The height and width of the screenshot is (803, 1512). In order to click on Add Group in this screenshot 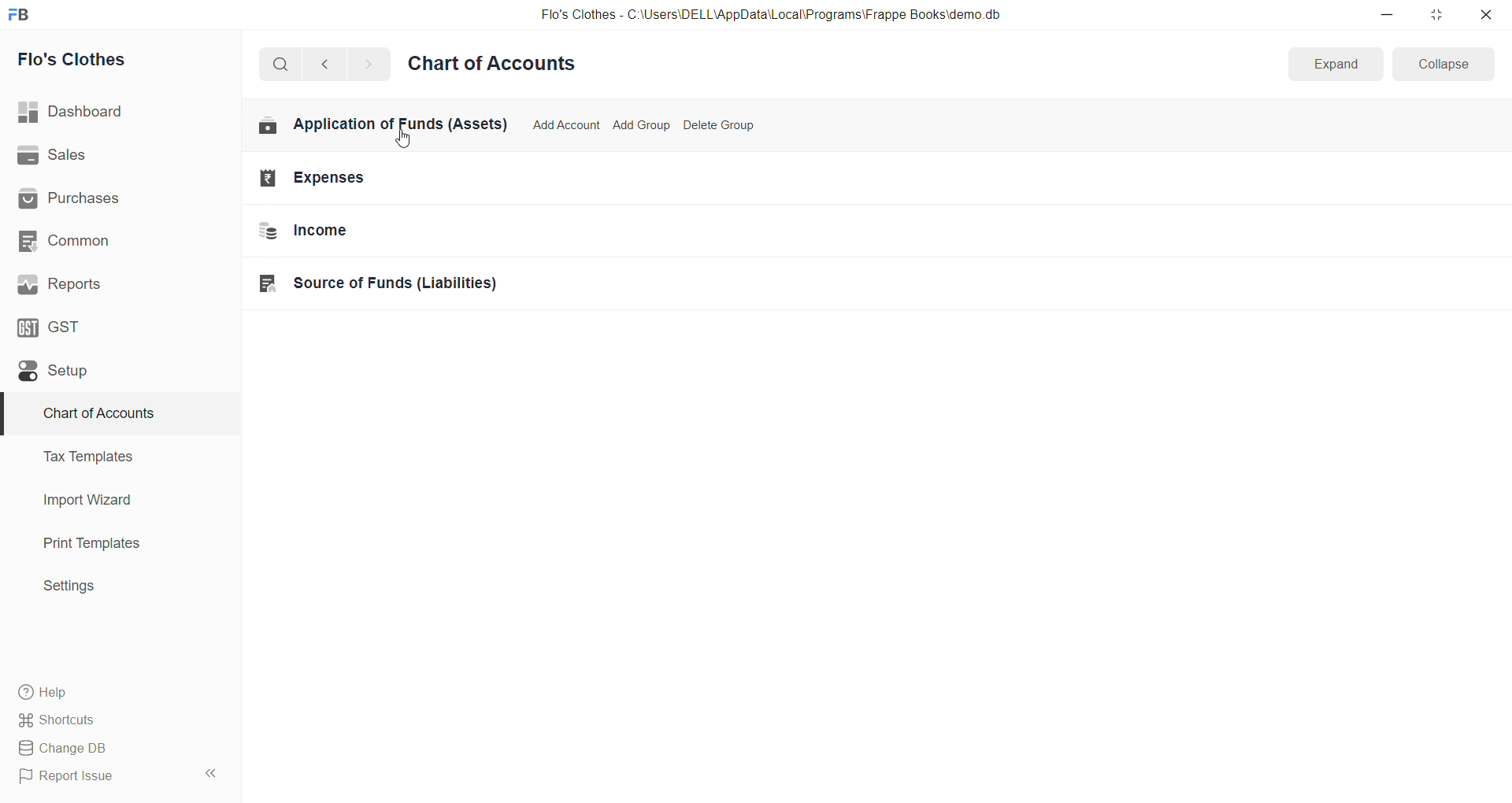, I will do `click(642, 124)`.